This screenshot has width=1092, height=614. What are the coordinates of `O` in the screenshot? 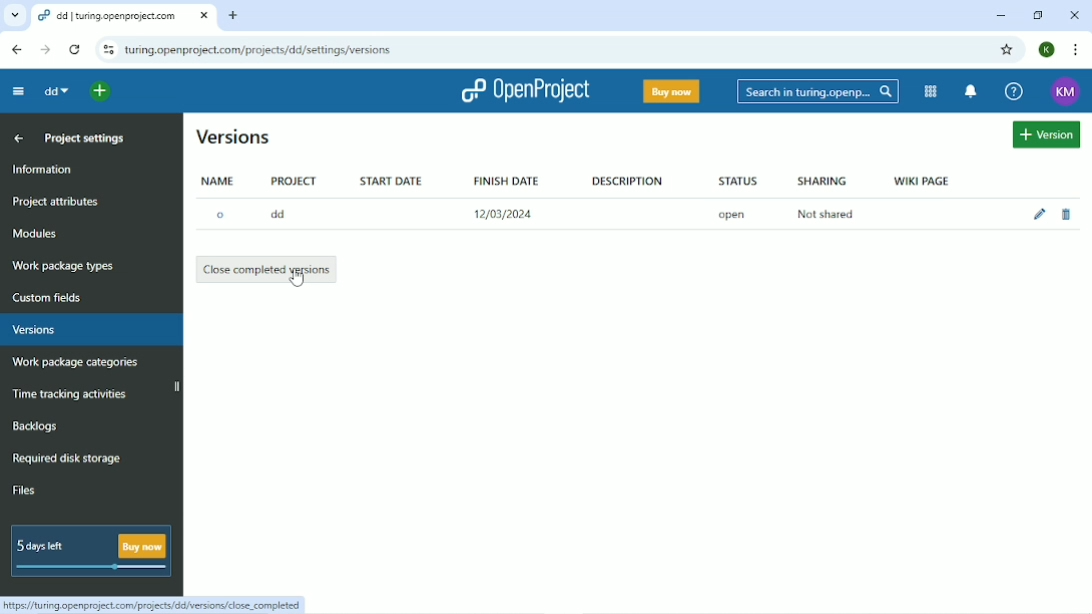 It's located at (226, 214).